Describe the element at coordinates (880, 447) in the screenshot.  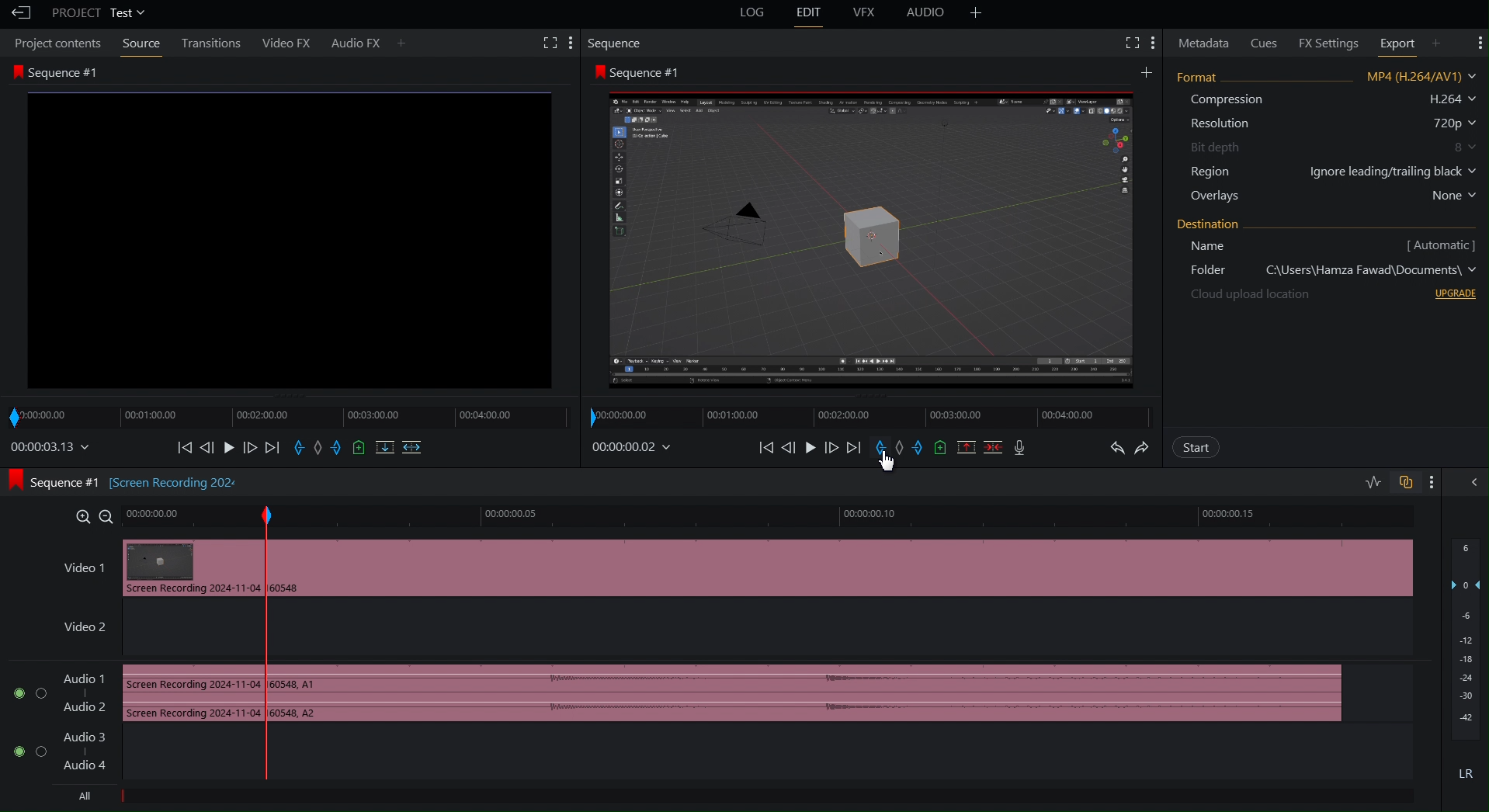
I see `Place Entry Marker` at that location.